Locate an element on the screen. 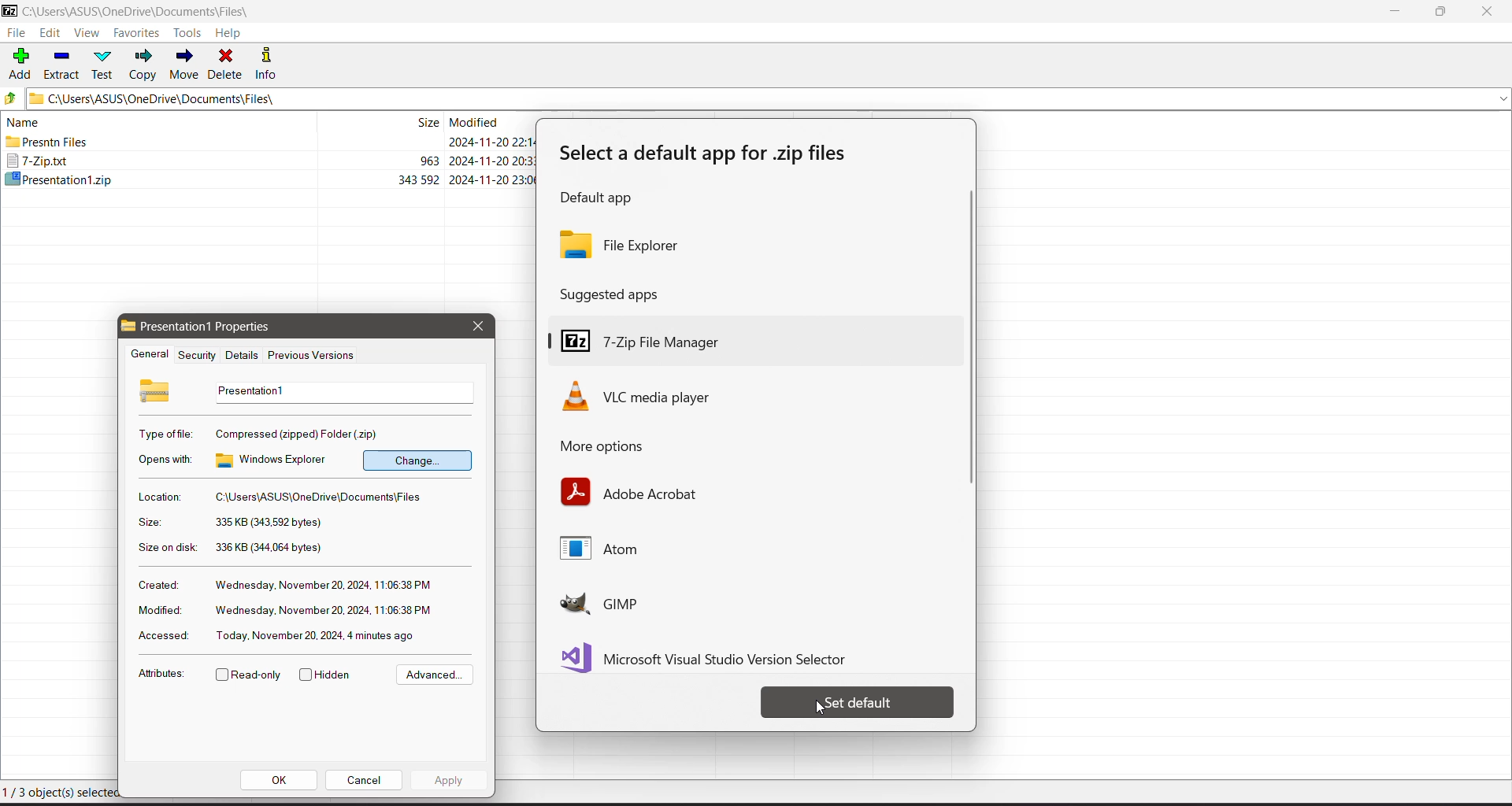  Select a default app for .zip files is located at coordinates (710, 154).